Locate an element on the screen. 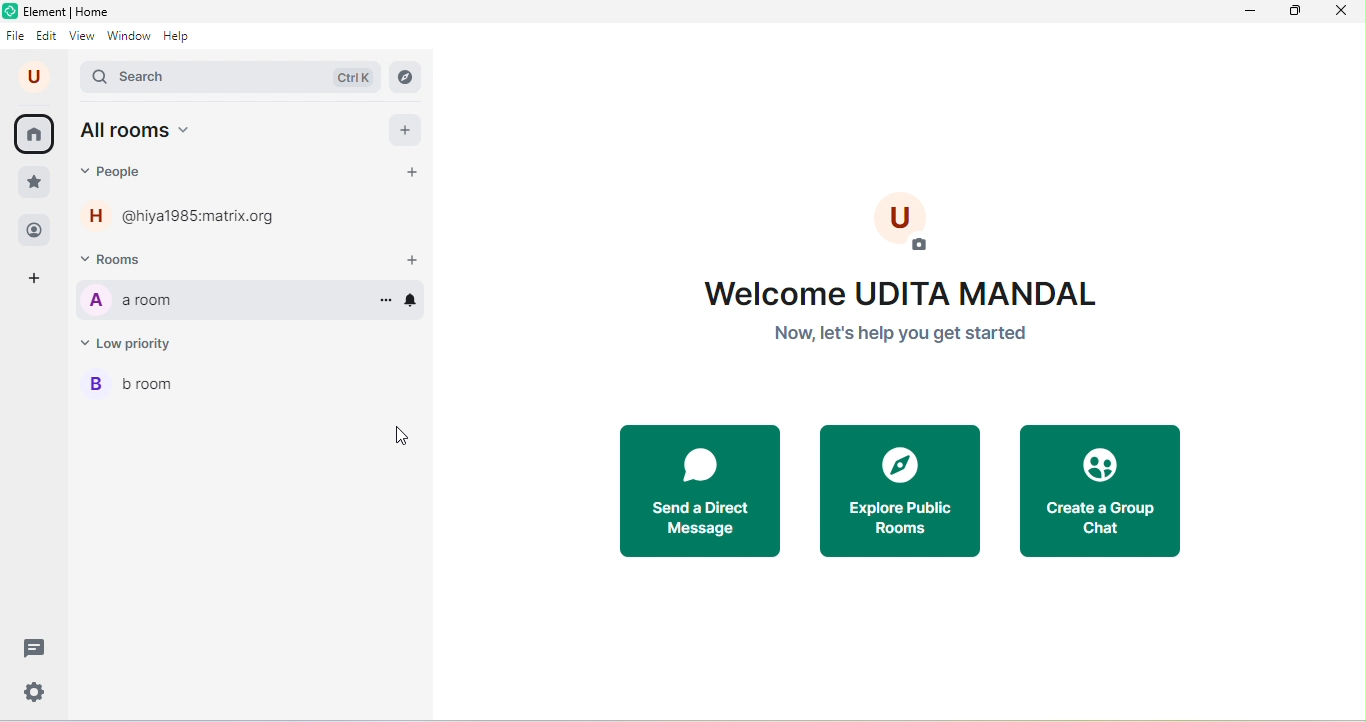 The width and height of the screenshot is (1366, 722). create a chat group is located at coordinates (1100, 491).